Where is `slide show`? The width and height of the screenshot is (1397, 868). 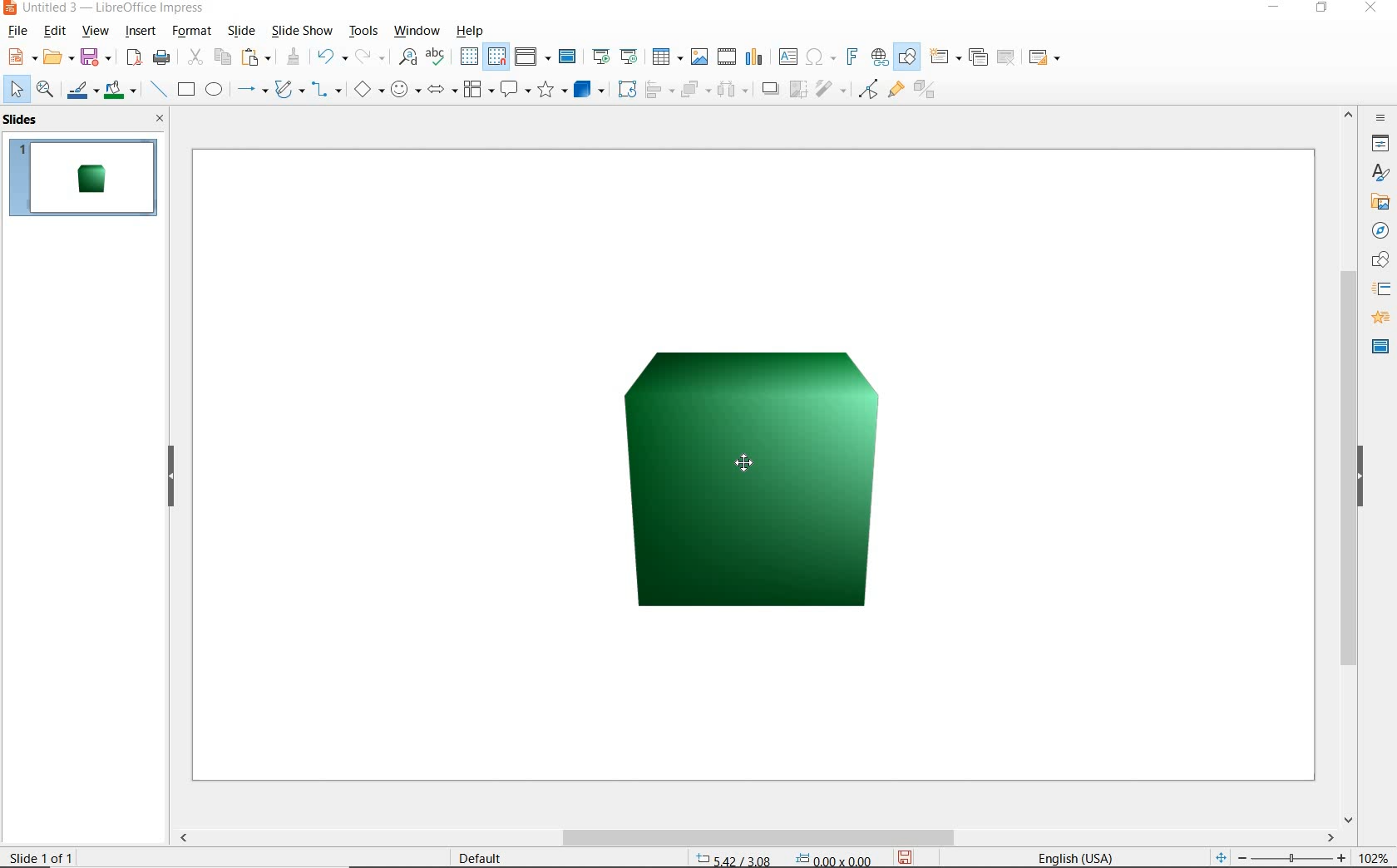
slide show is located at coordinates (304, 31).